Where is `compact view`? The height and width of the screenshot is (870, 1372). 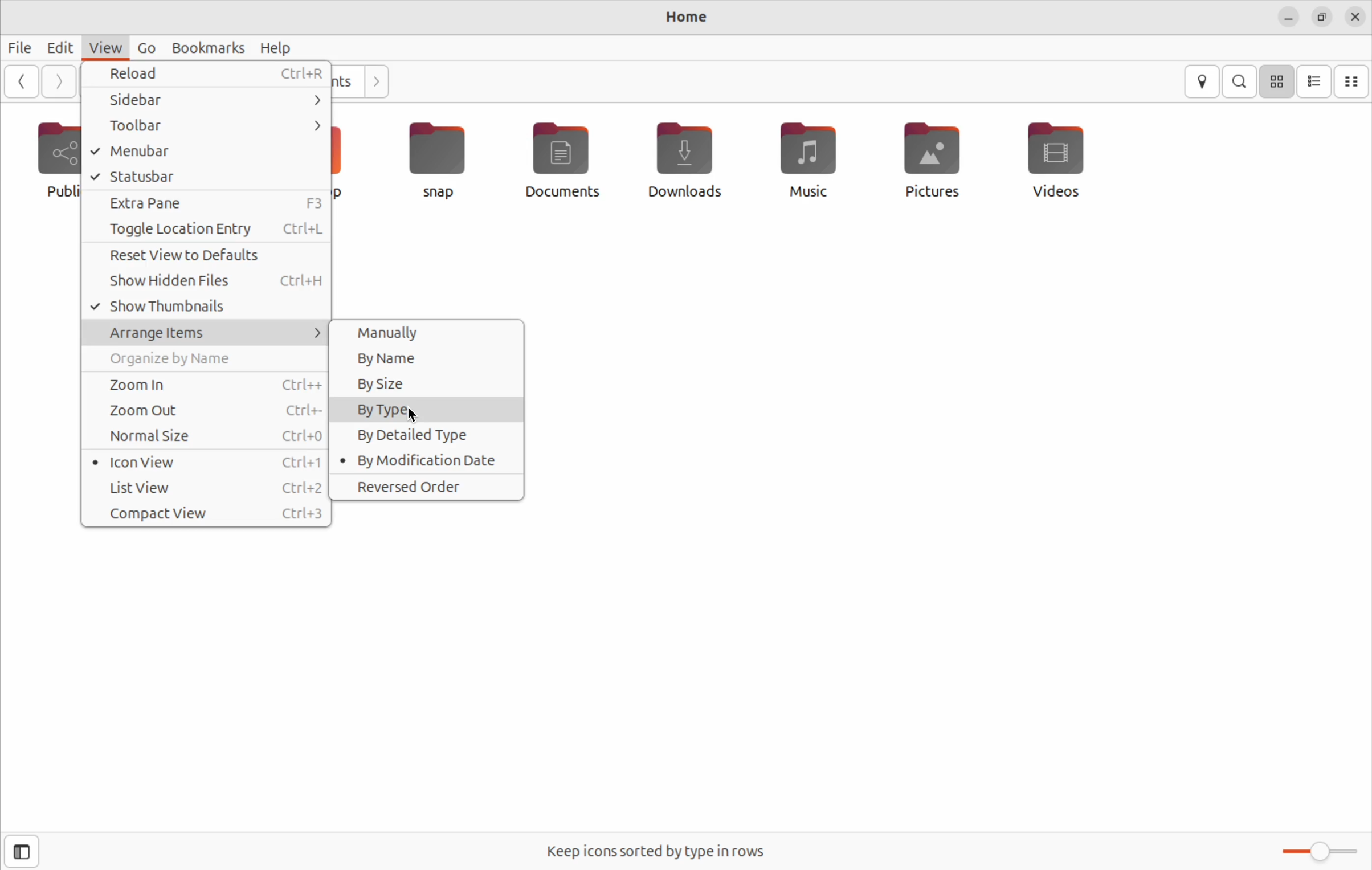
compact view is located at coordinates (208, 512).